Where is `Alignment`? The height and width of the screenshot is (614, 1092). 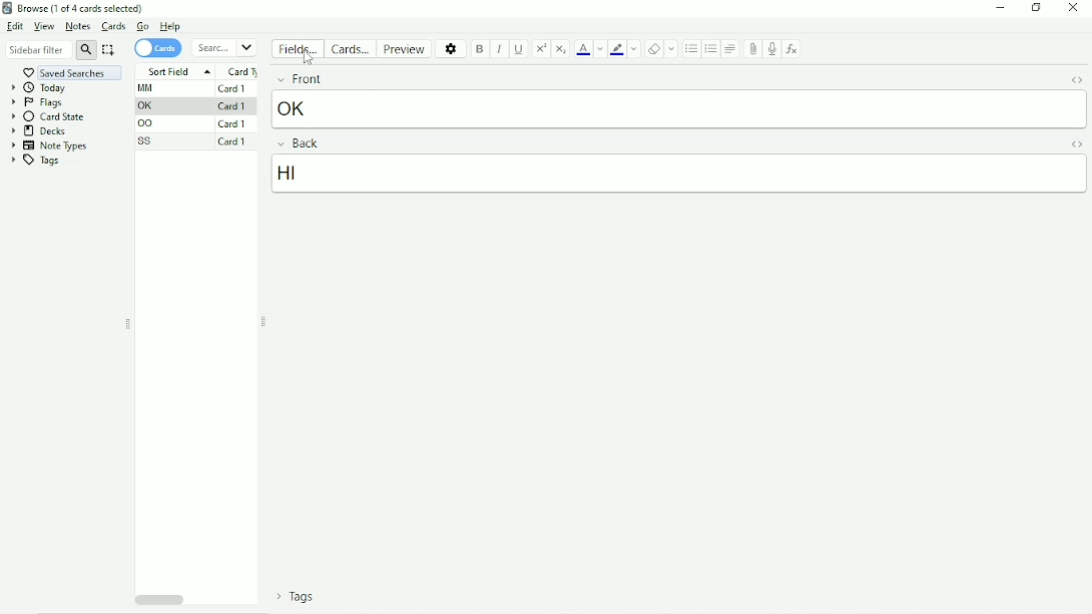 Alignment is located at coordinates (731, 49).